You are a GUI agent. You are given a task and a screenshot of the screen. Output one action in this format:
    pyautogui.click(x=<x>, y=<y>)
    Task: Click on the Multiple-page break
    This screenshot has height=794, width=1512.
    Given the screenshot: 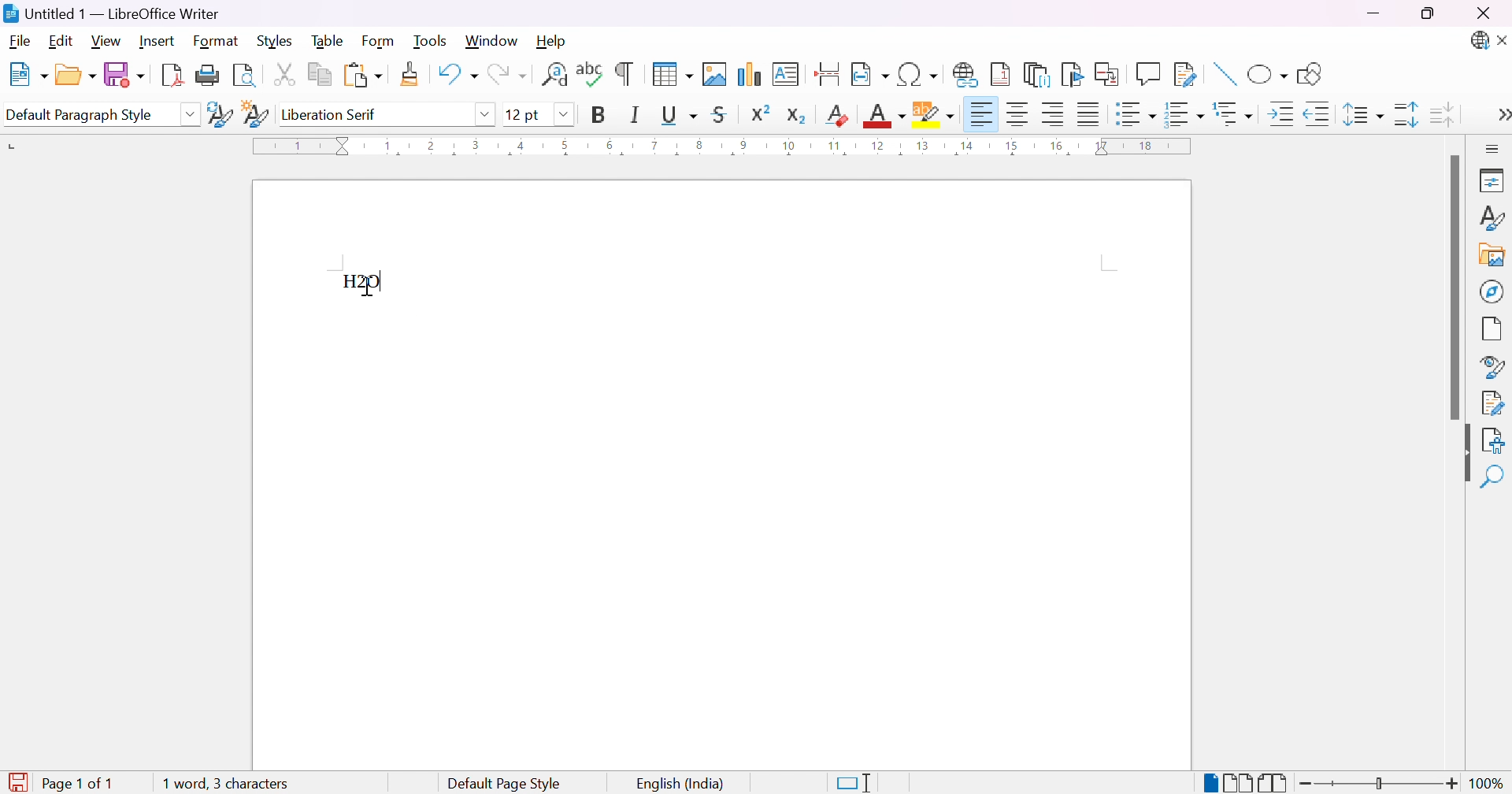 What is the action you would take?
    pyautogui.click(x=1237, y=785)
    